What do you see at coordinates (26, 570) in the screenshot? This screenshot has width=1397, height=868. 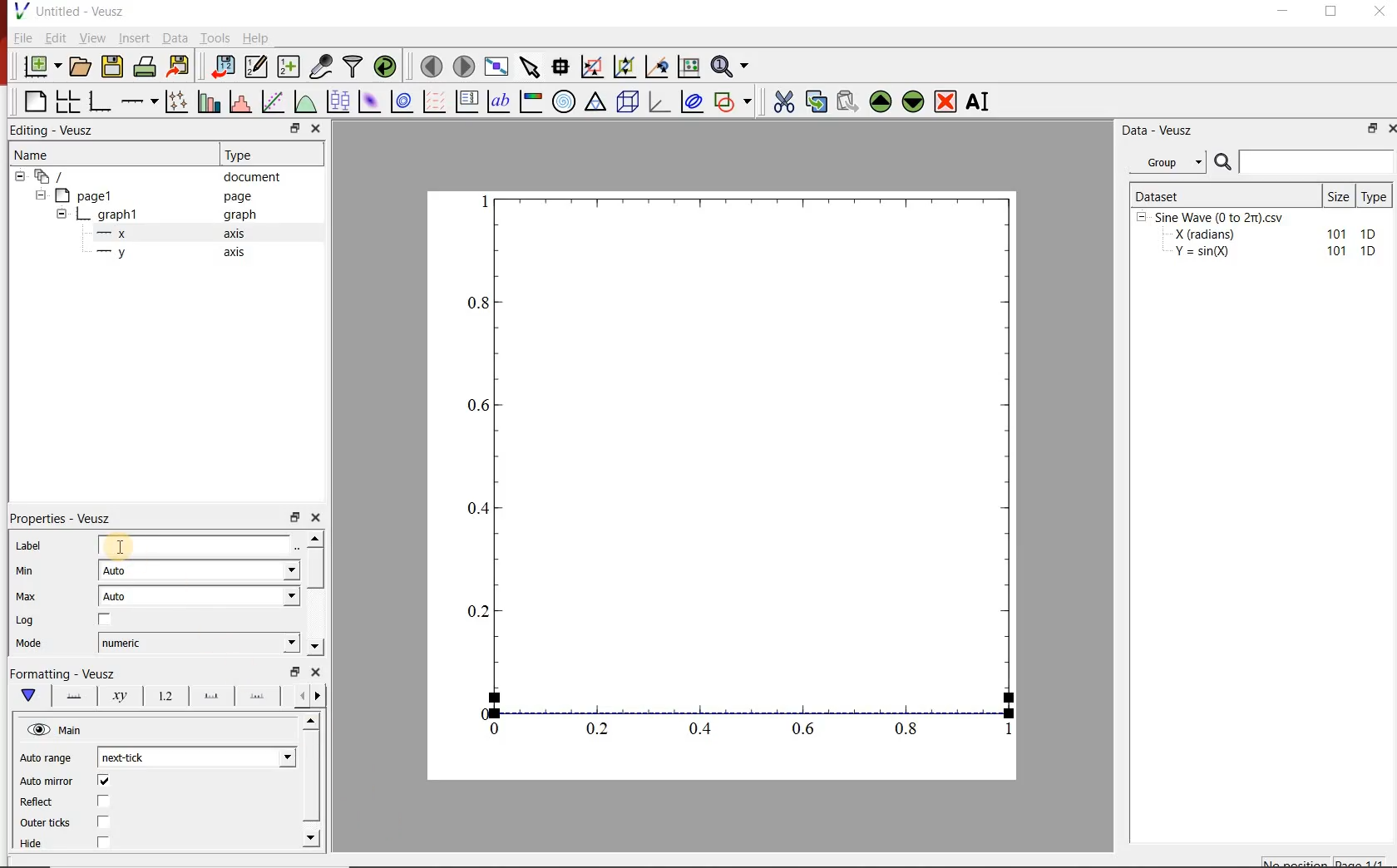 I see `Min` at bounding box center [26, 570].